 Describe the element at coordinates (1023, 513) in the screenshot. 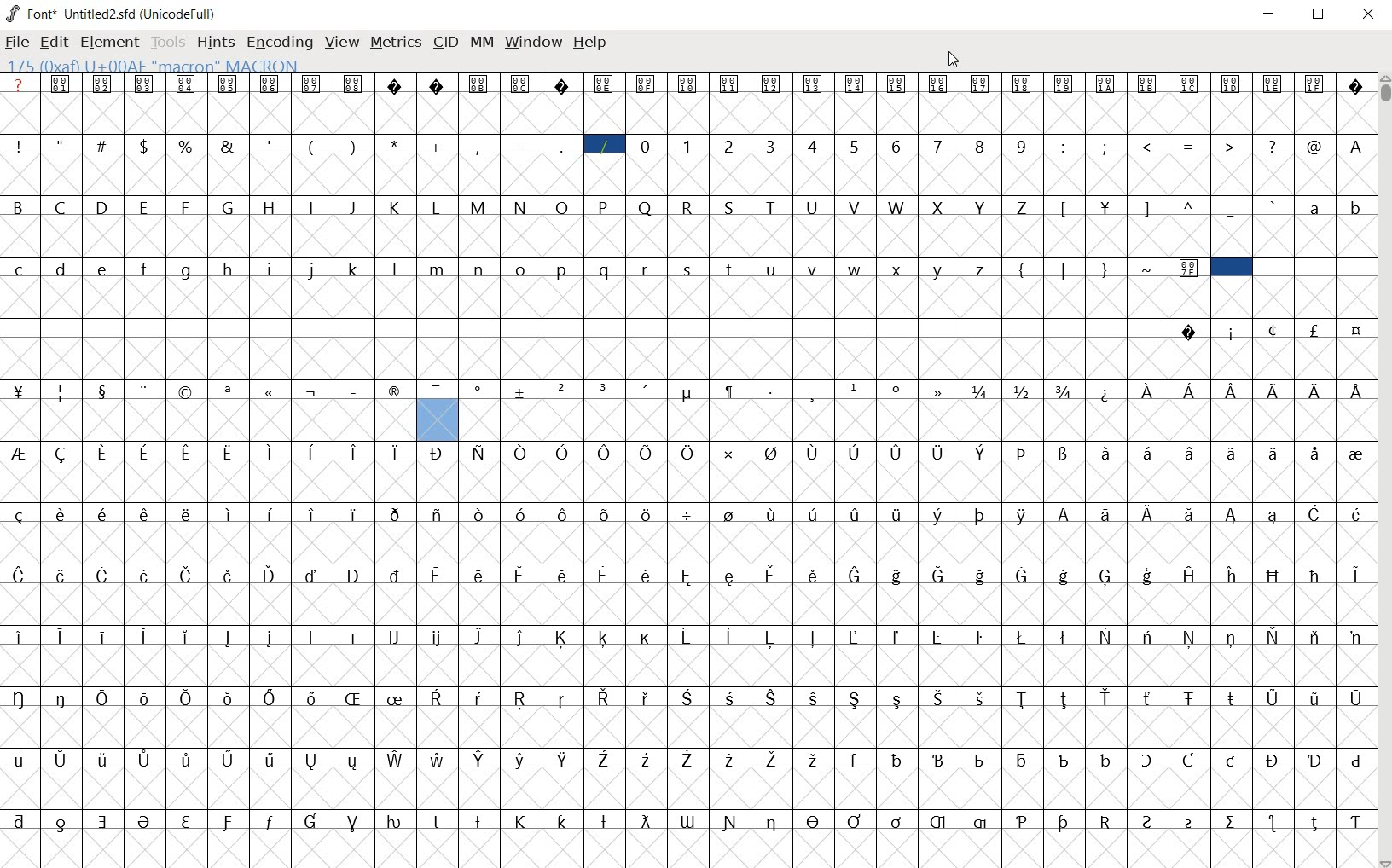

I see `Symbol` at that location.